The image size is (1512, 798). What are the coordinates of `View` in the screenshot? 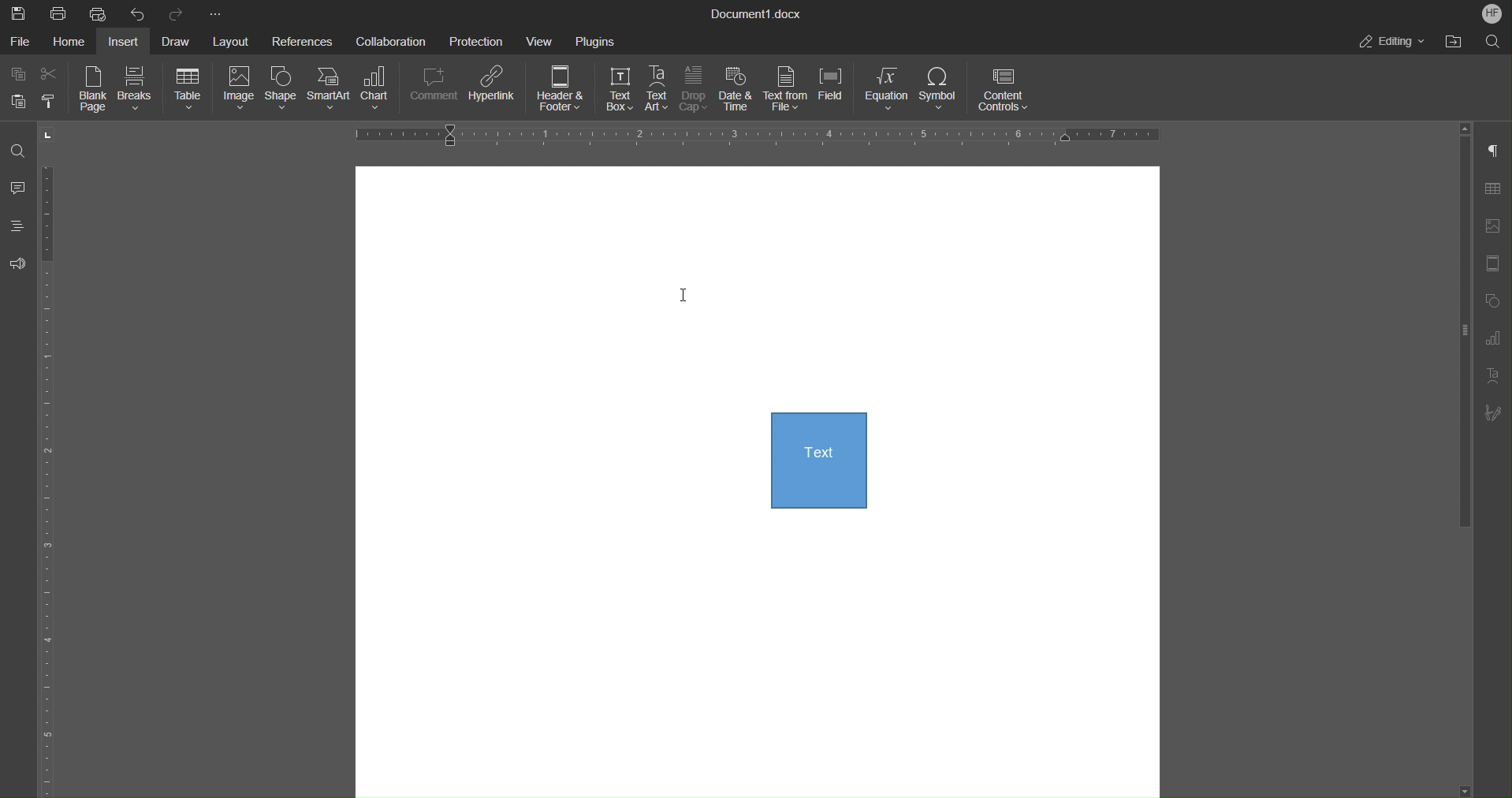 It's located at (543, 40).